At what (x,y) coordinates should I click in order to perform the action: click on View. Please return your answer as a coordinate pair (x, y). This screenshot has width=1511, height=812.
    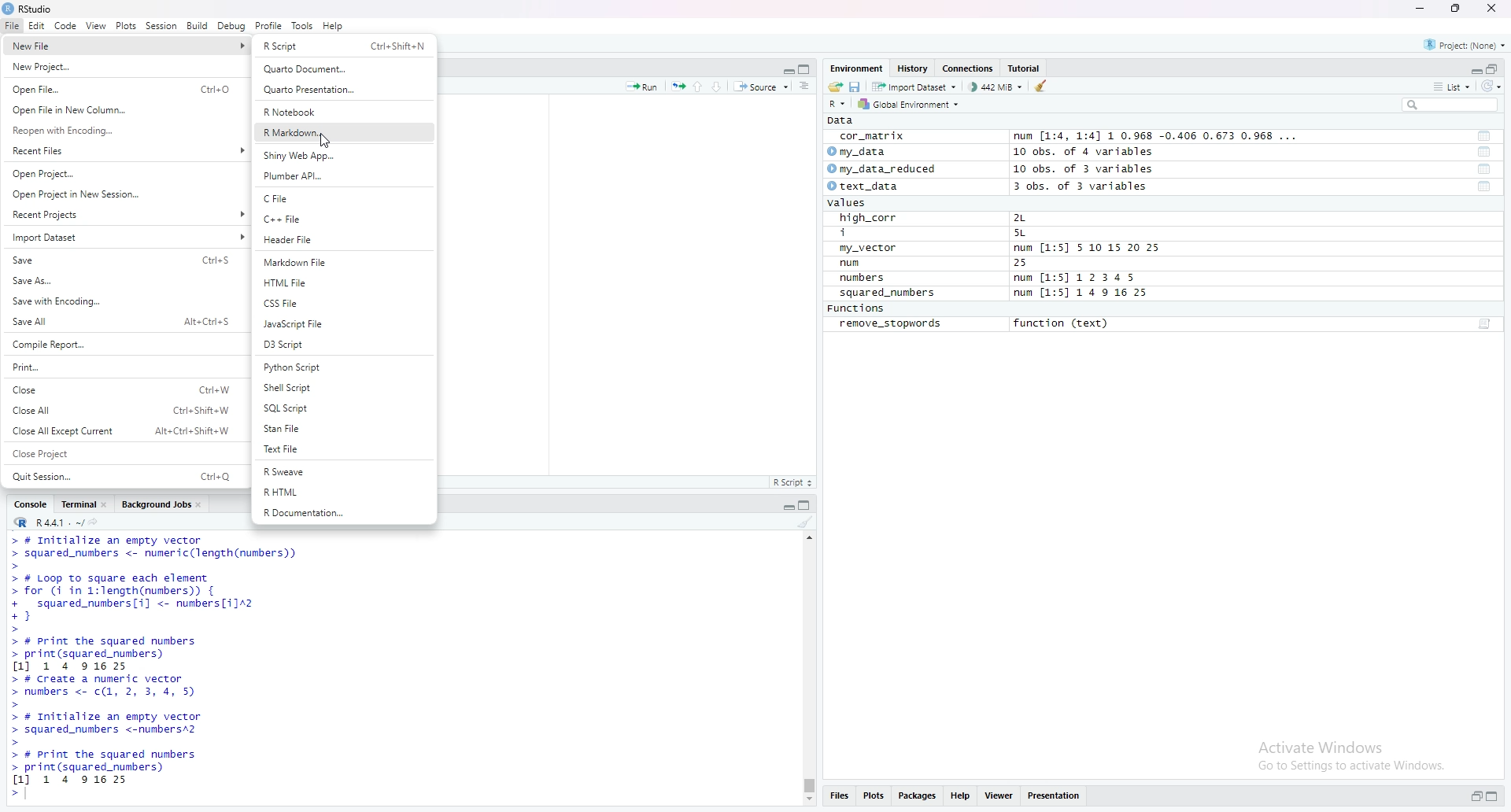
    Looking at the image, I should click on (999, 798).